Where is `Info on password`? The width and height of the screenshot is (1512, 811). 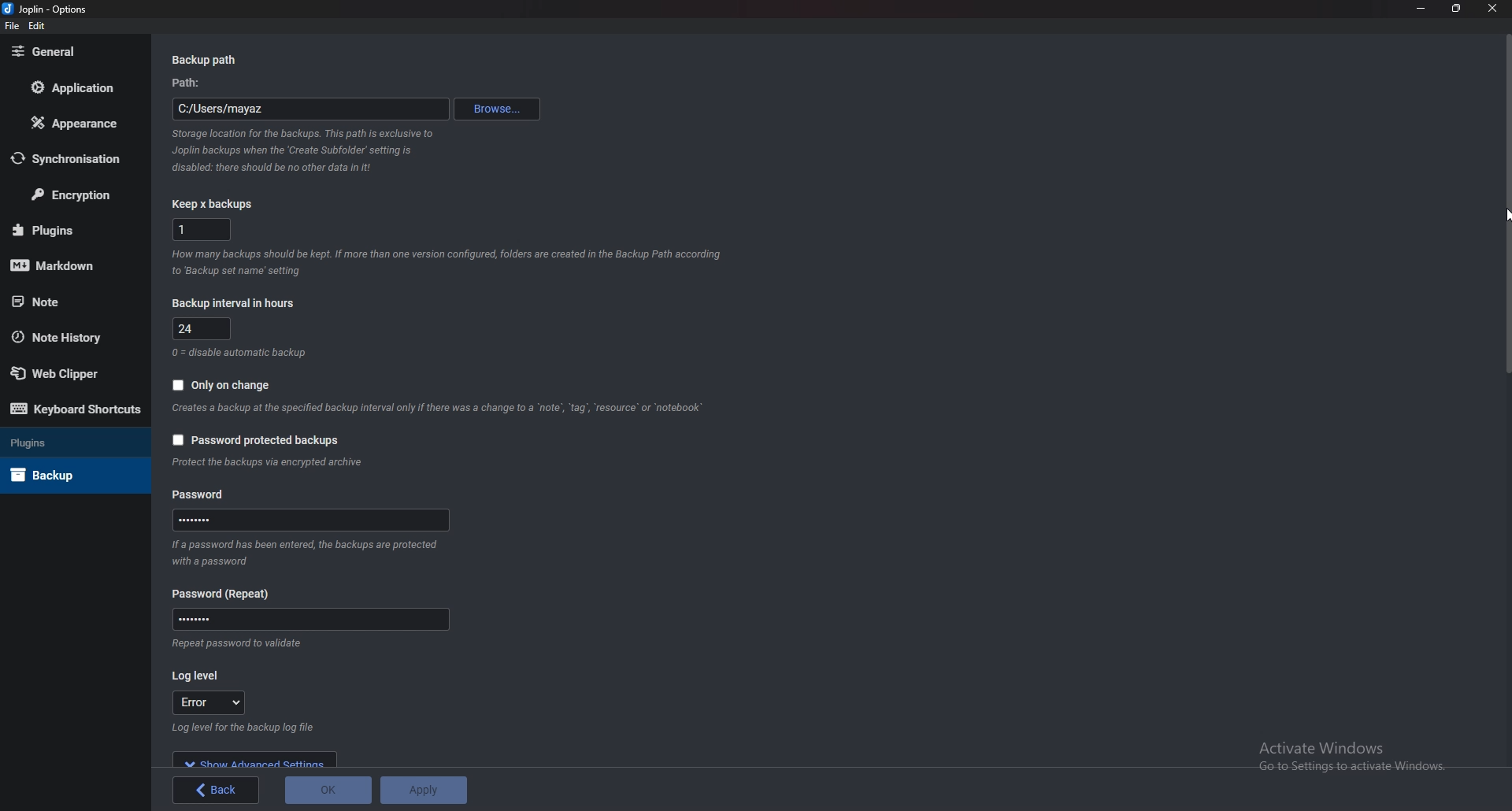
Info on password is located at coordinates (308, 550).